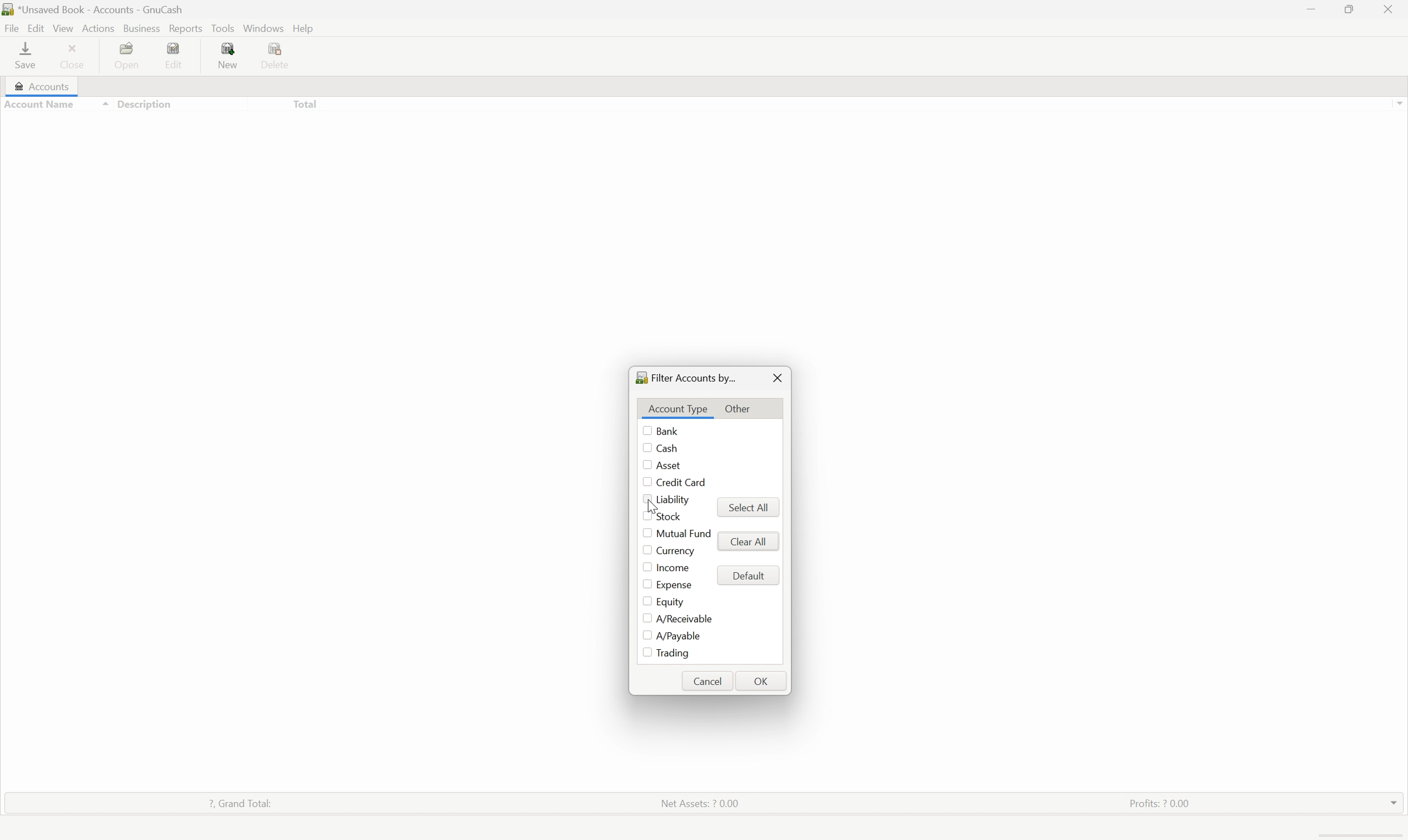  What do you see at coordinates (230, 54) in the screenshot?
I see `New` at bounding box center [230, 54].